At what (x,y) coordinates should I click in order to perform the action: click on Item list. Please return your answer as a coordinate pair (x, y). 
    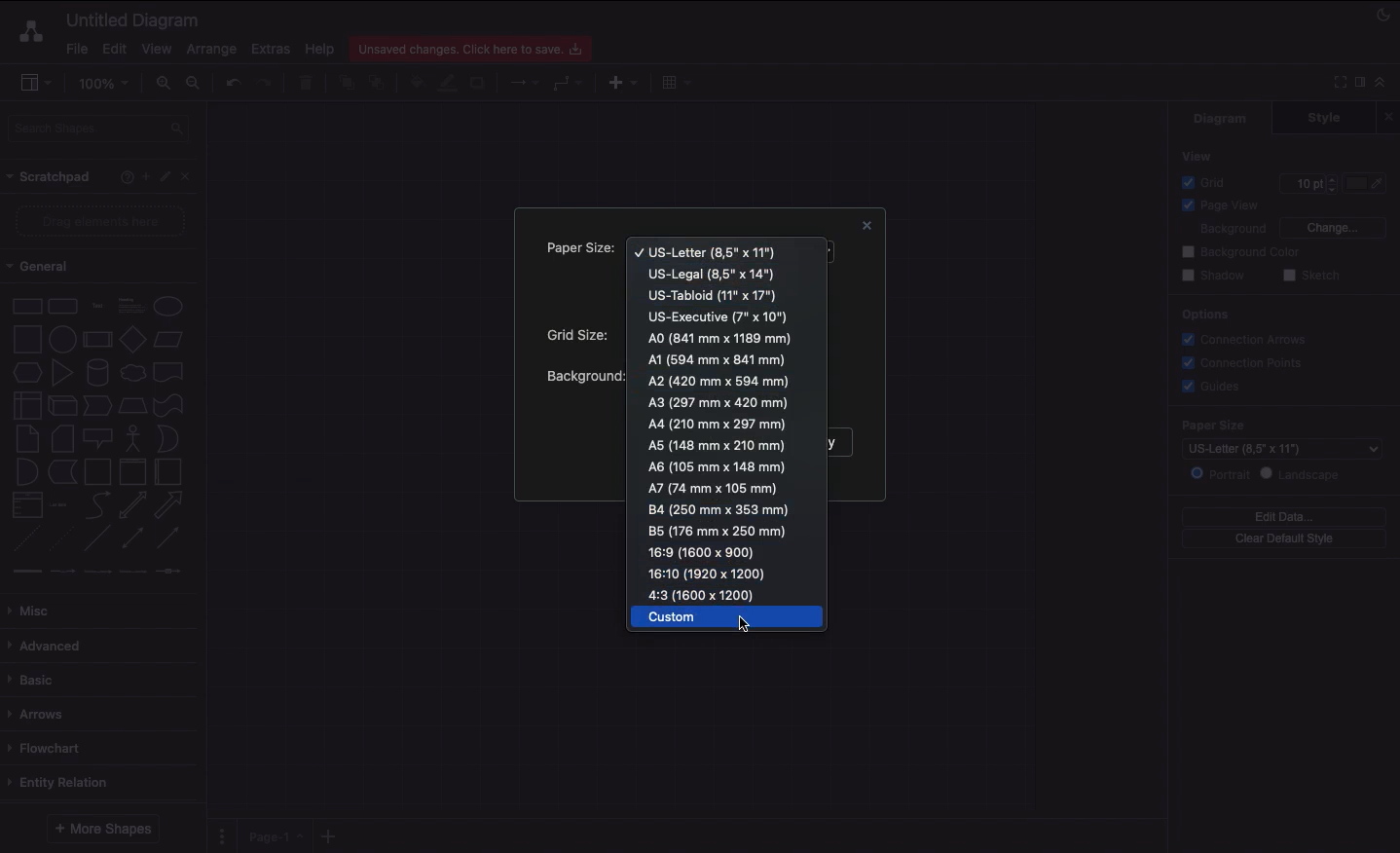
    Looking at the image, I should click on (64, 505).